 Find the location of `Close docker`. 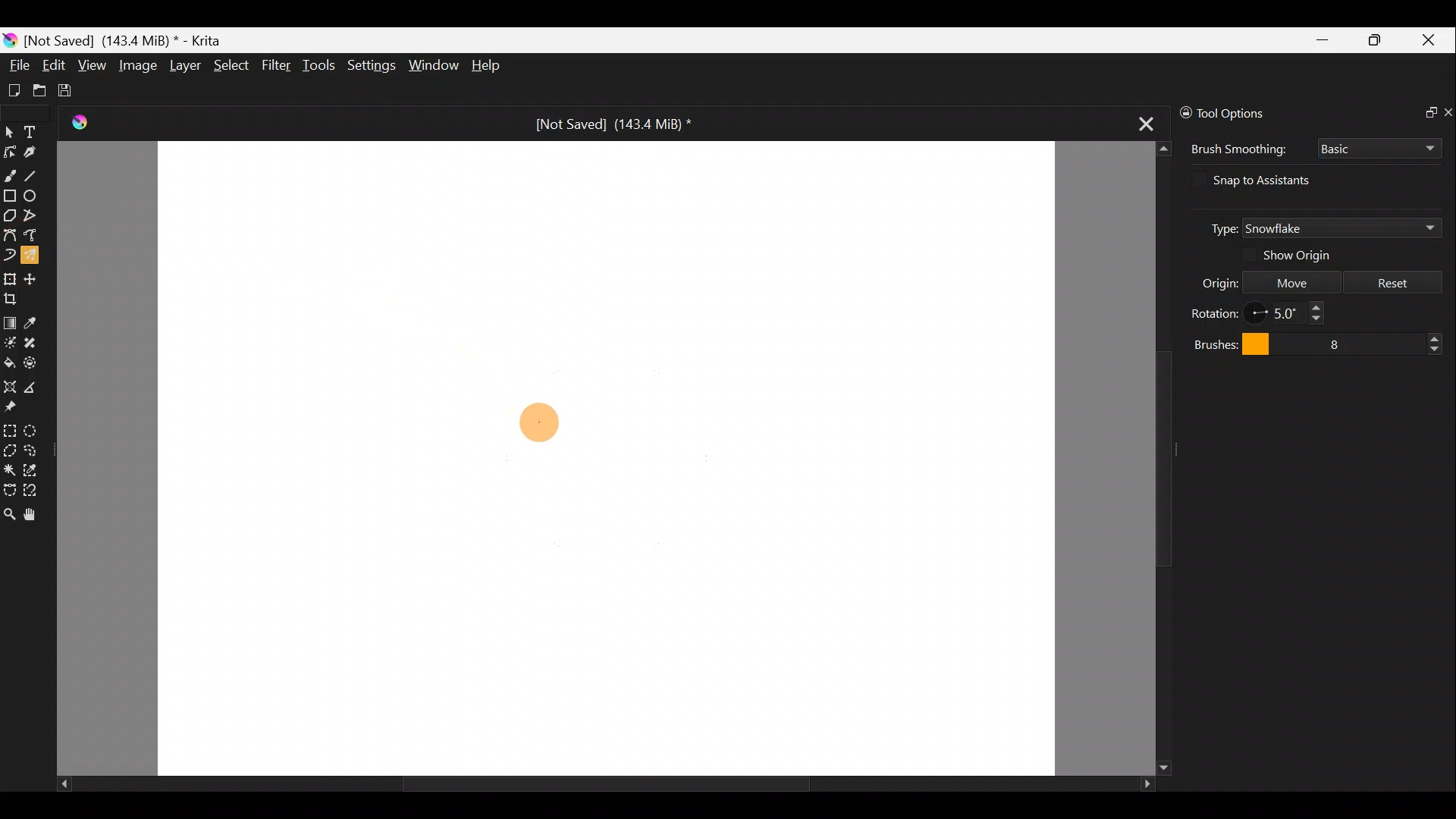

Close docker is located at coordinates (1447, 109).